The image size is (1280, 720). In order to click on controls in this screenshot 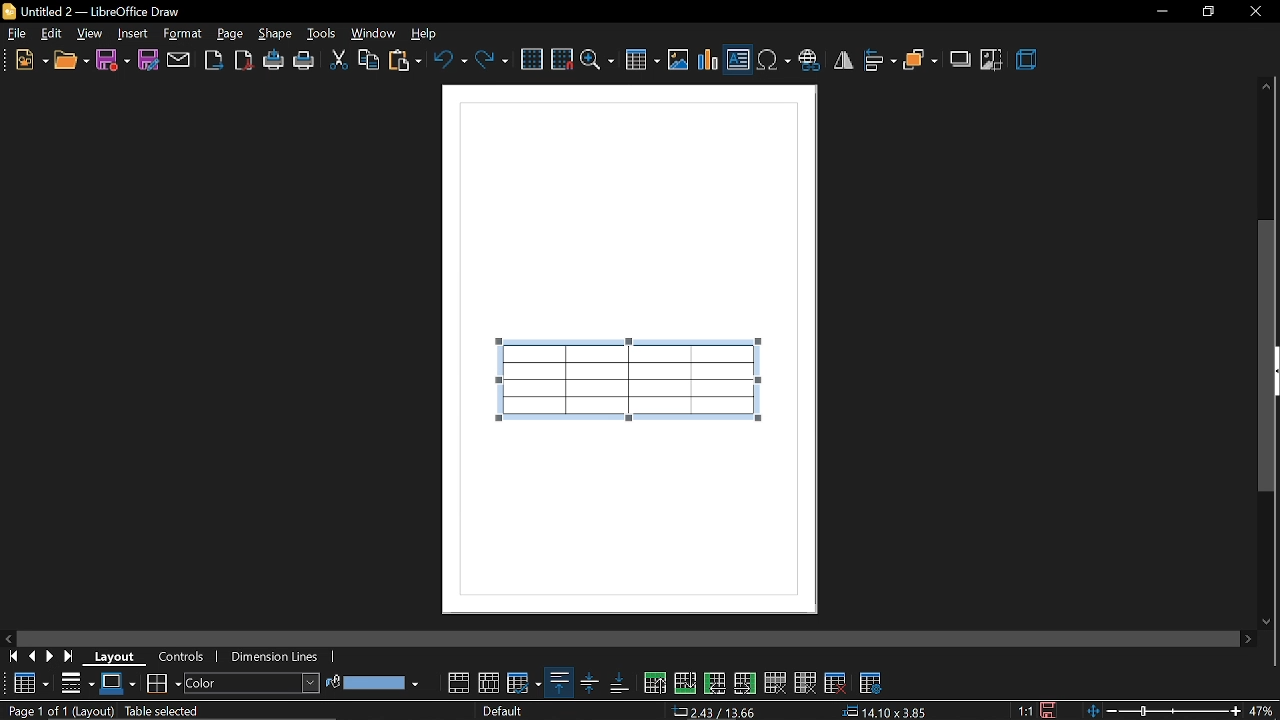, I will do `click(186, 659)`.